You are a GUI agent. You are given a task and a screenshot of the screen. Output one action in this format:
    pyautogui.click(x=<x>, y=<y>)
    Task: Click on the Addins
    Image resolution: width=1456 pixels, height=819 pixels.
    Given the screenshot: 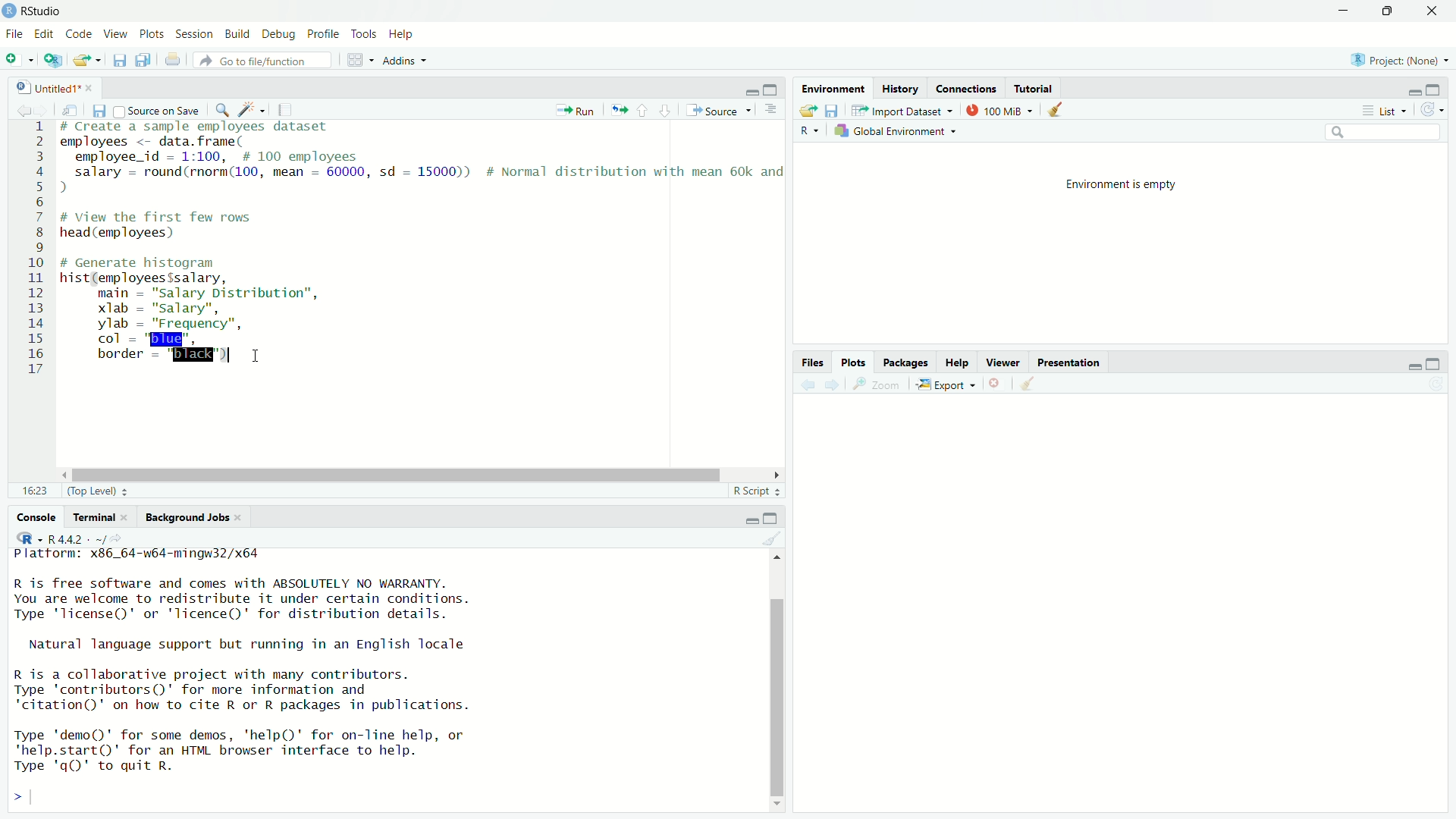 What is the action you would take?
    pyautogui.click(x=406, y=61)
    